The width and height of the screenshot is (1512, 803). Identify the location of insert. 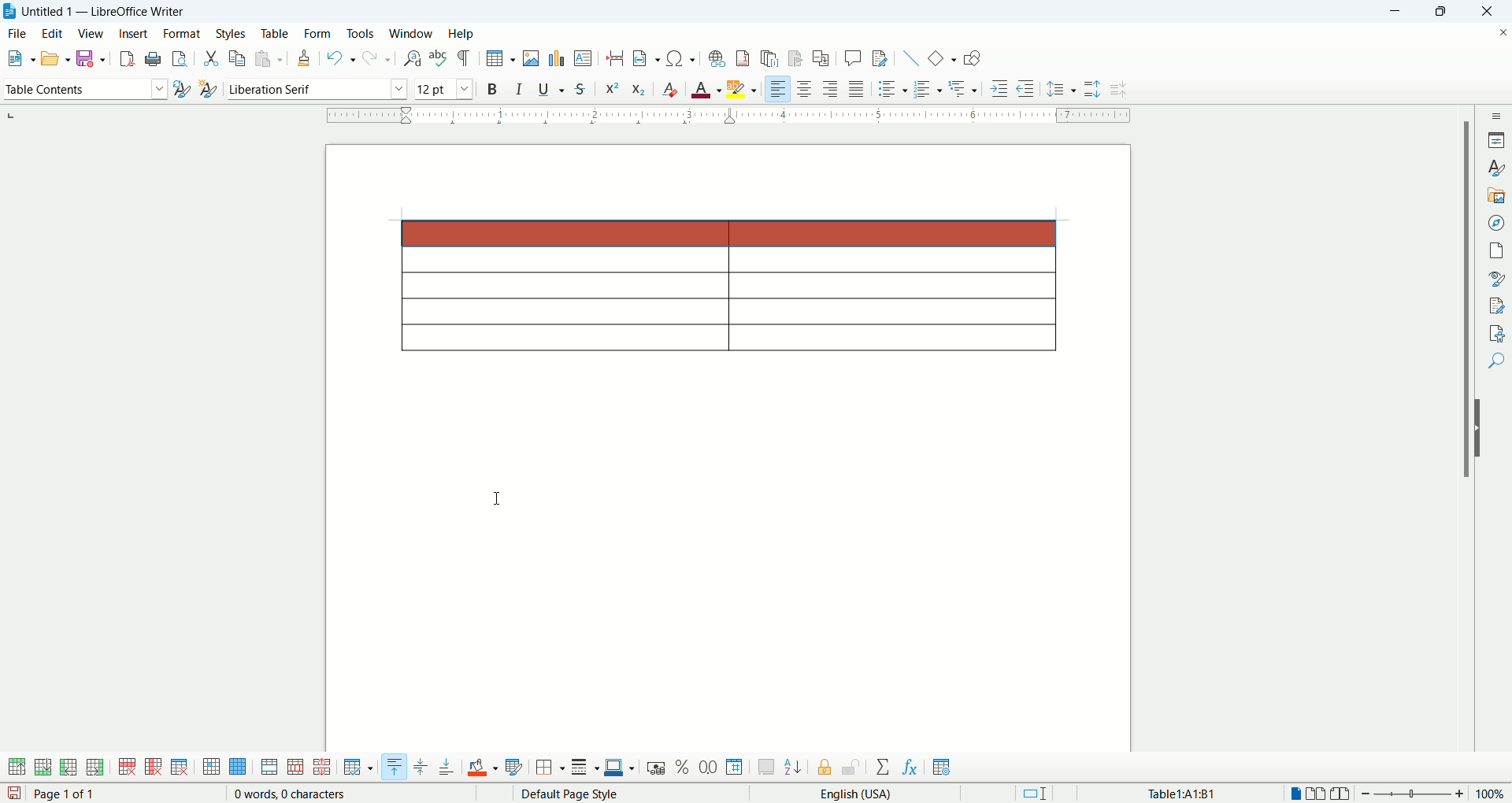
(135, 33).